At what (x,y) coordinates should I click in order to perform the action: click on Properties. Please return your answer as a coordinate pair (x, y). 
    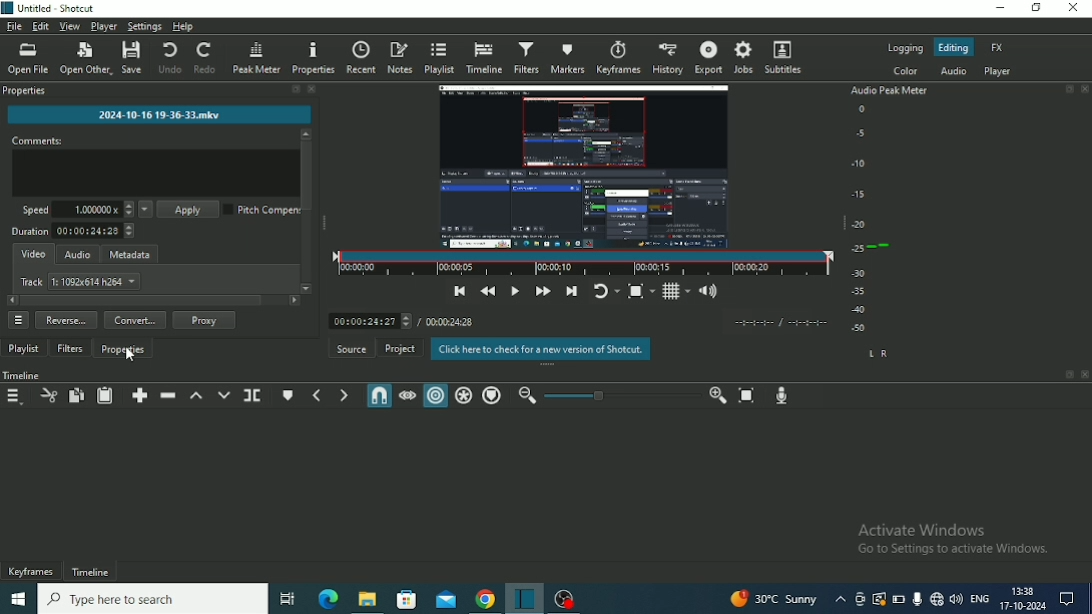
    Looking at the image, I should click on (124, 351).